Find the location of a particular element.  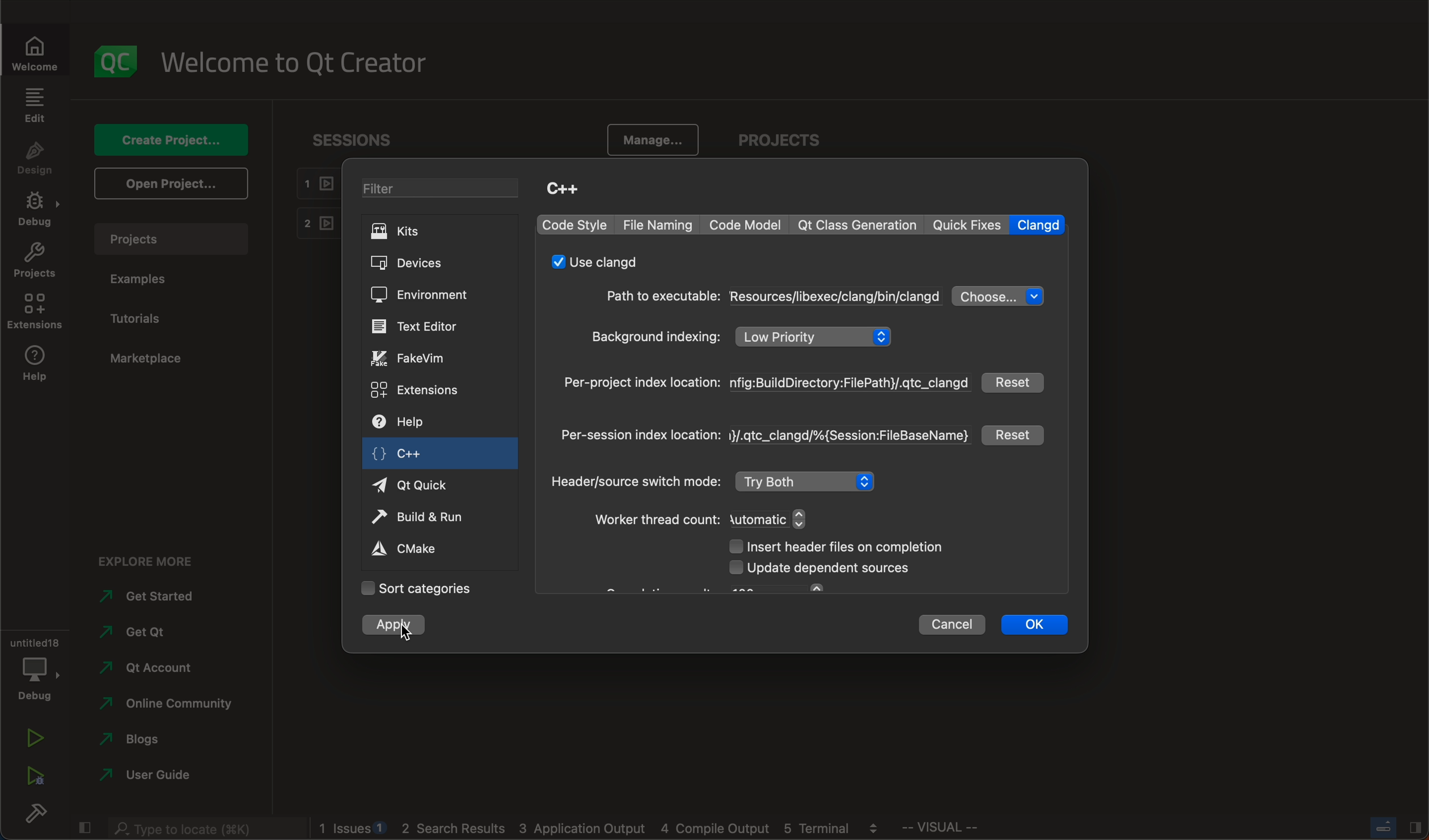

tutorials is located at coordinates (145, 315).